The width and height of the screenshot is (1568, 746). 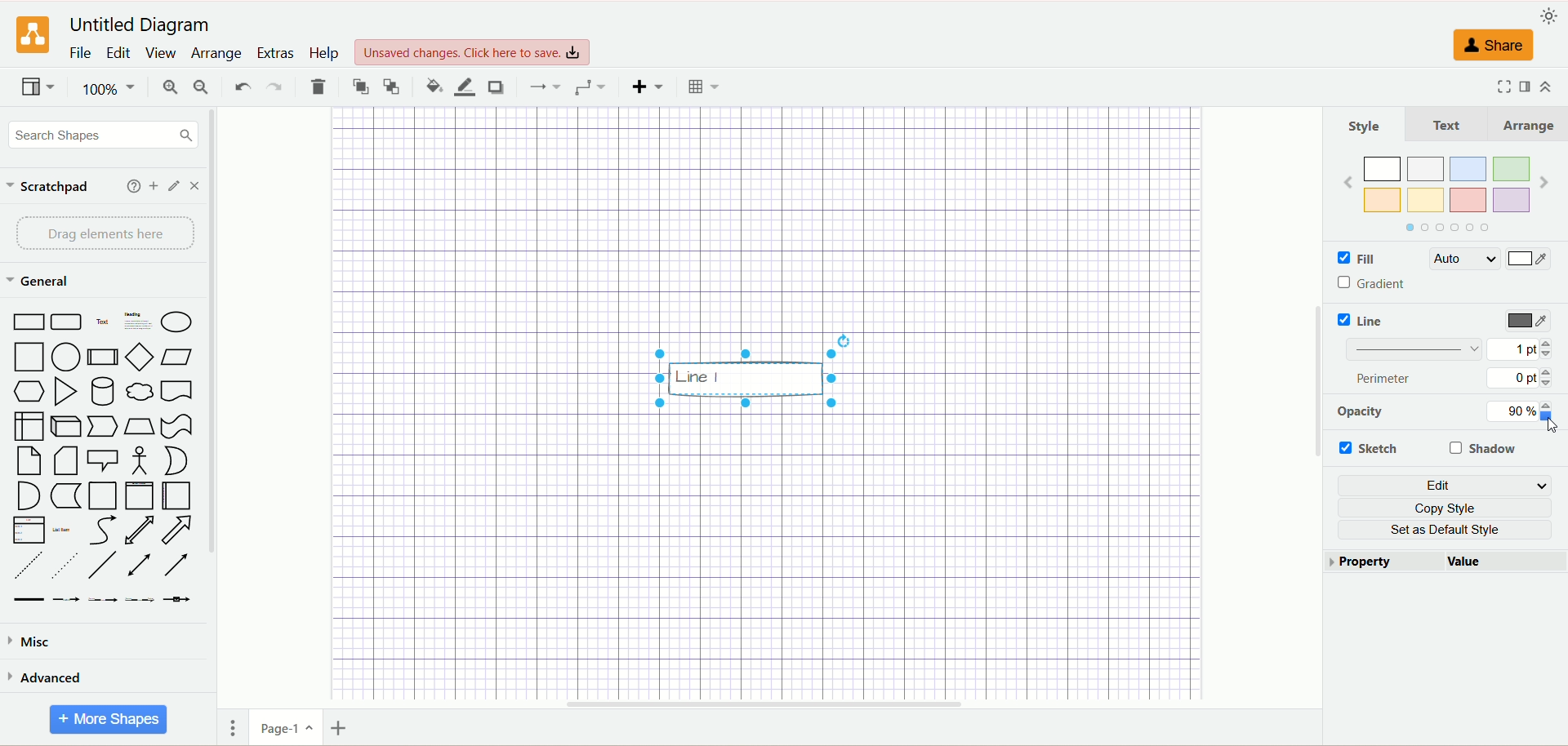 I want to click on Arrange, so click(x=1525, y=125).